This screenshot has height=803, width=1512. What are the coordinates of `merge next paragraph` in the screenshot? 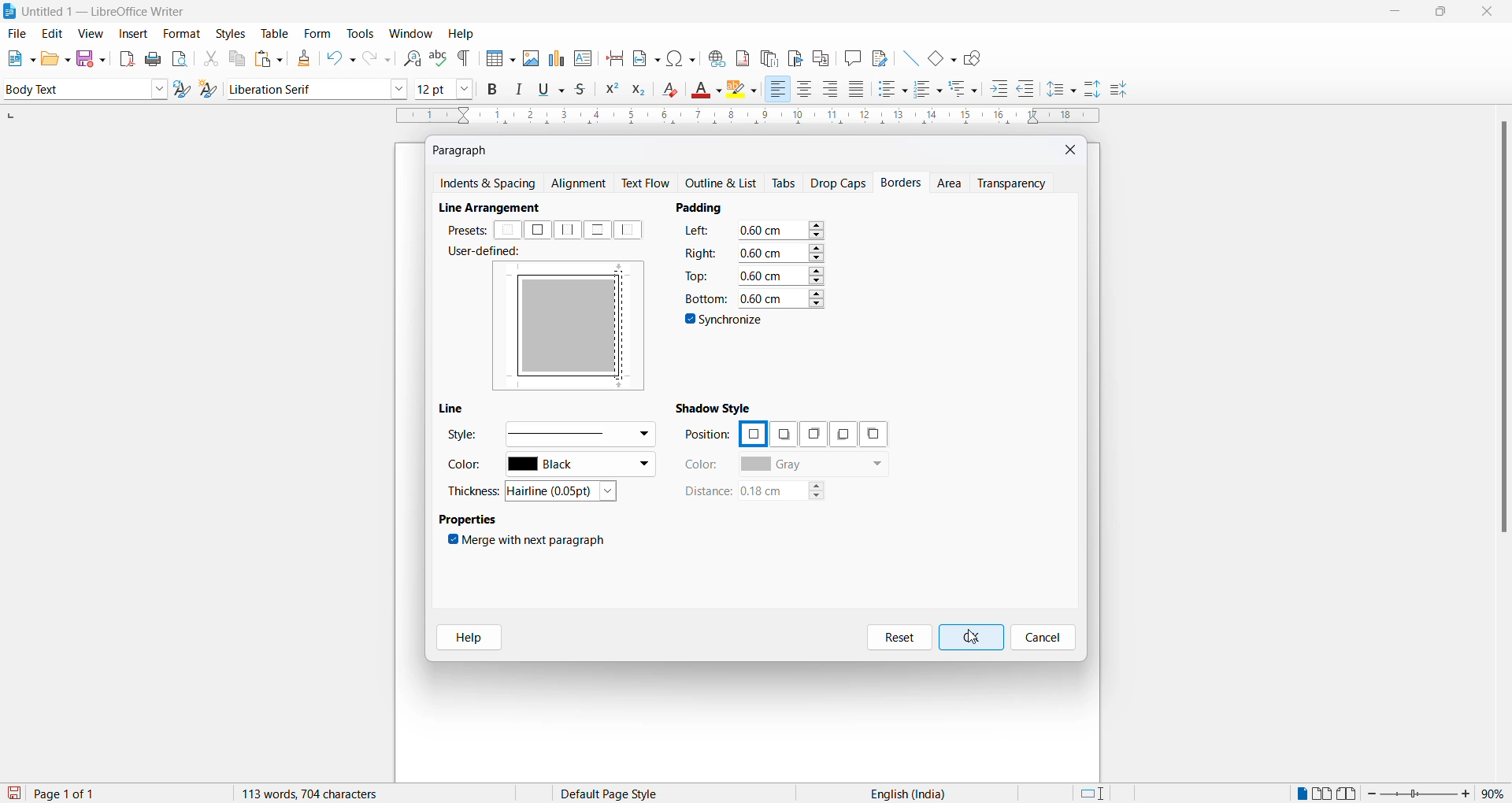 It's located at (530, 542).